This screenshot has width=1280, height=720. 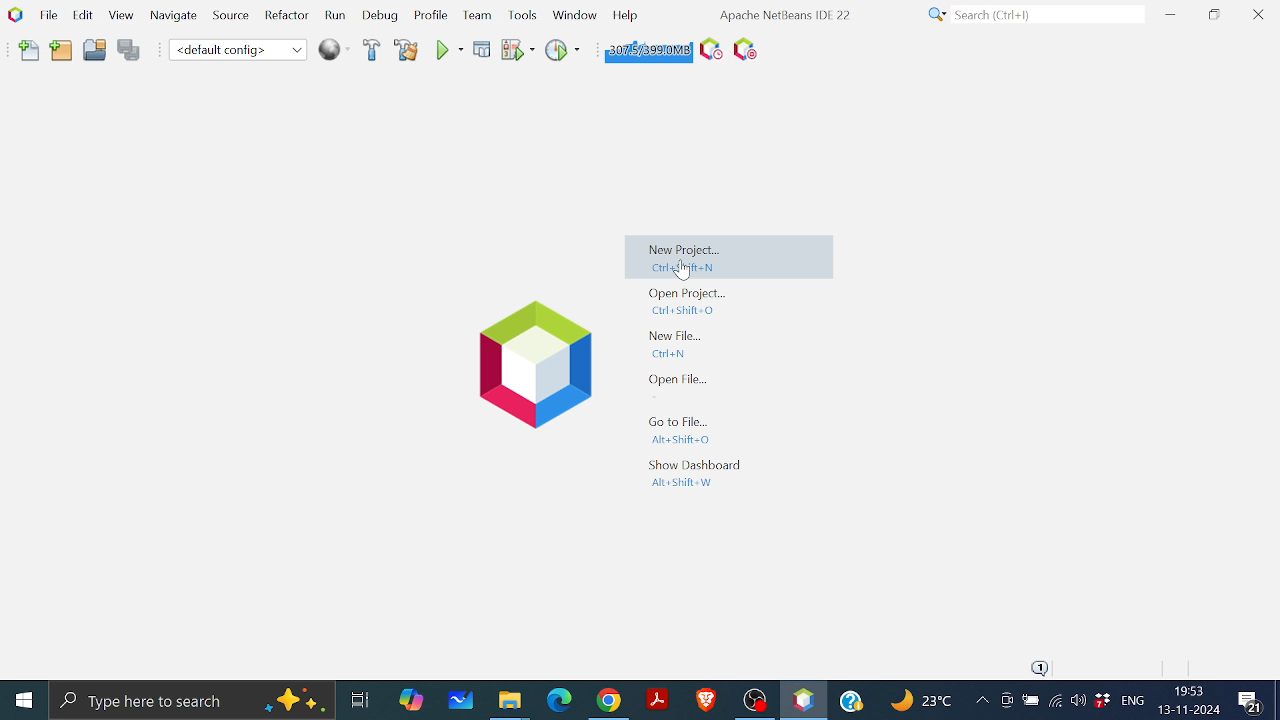 What do you see at coordinates (705, 699) in the screenshot?
I see `Brave Browser` at bounding box center [705, 699].